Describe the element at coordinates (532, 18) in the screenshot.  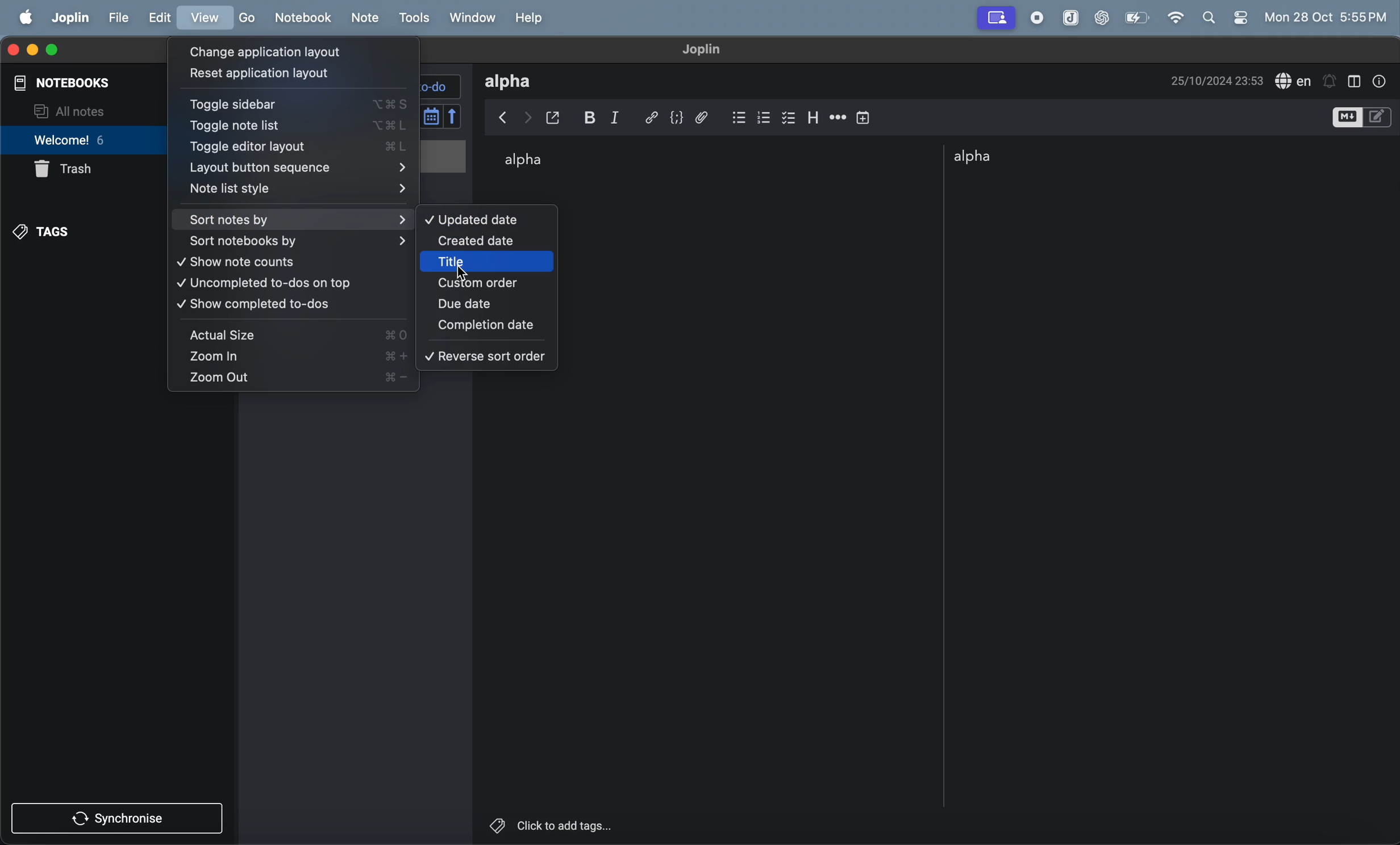
I see `help` at that location.